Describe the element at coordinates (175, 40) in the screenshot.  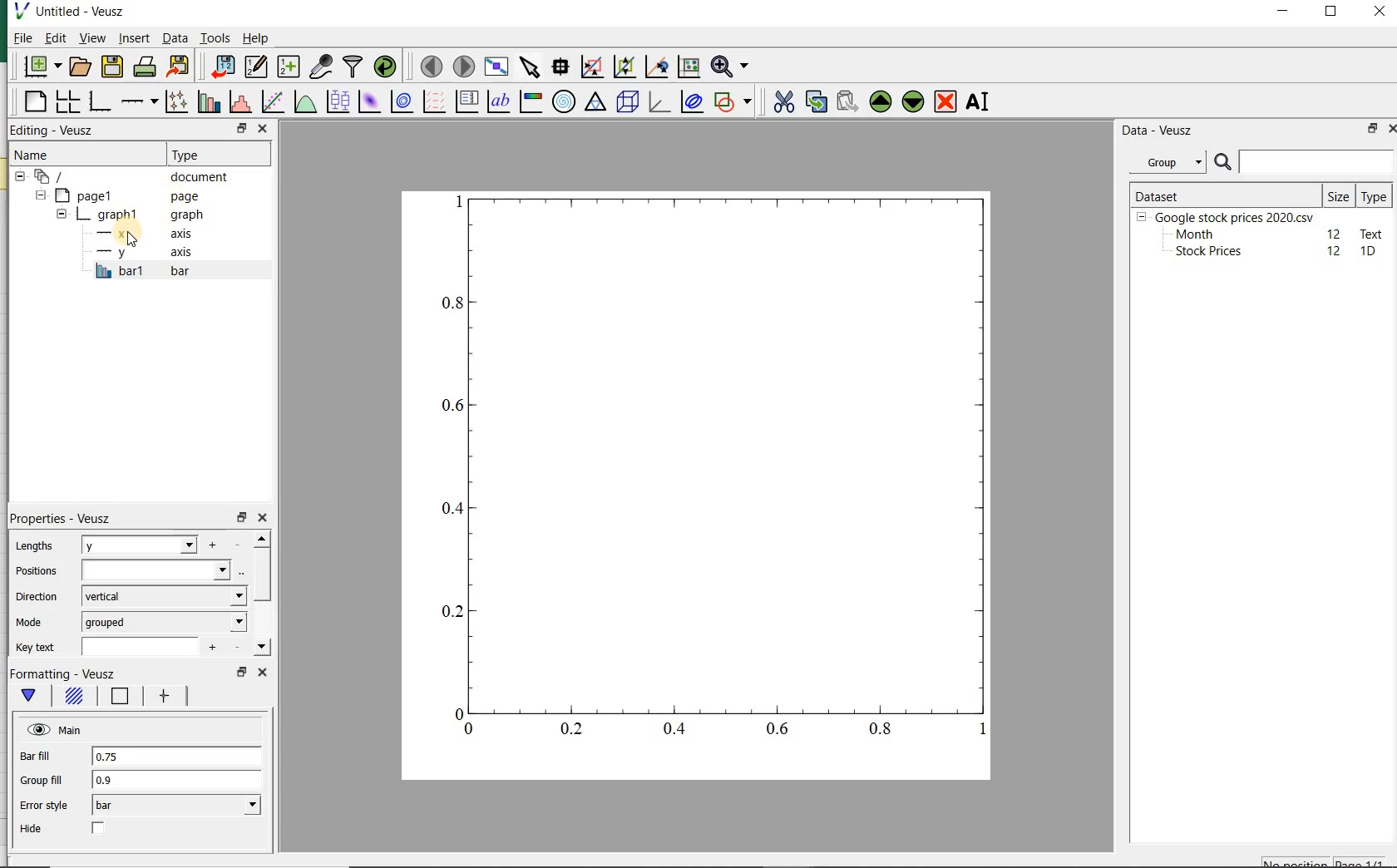
I see `Data` at that location.